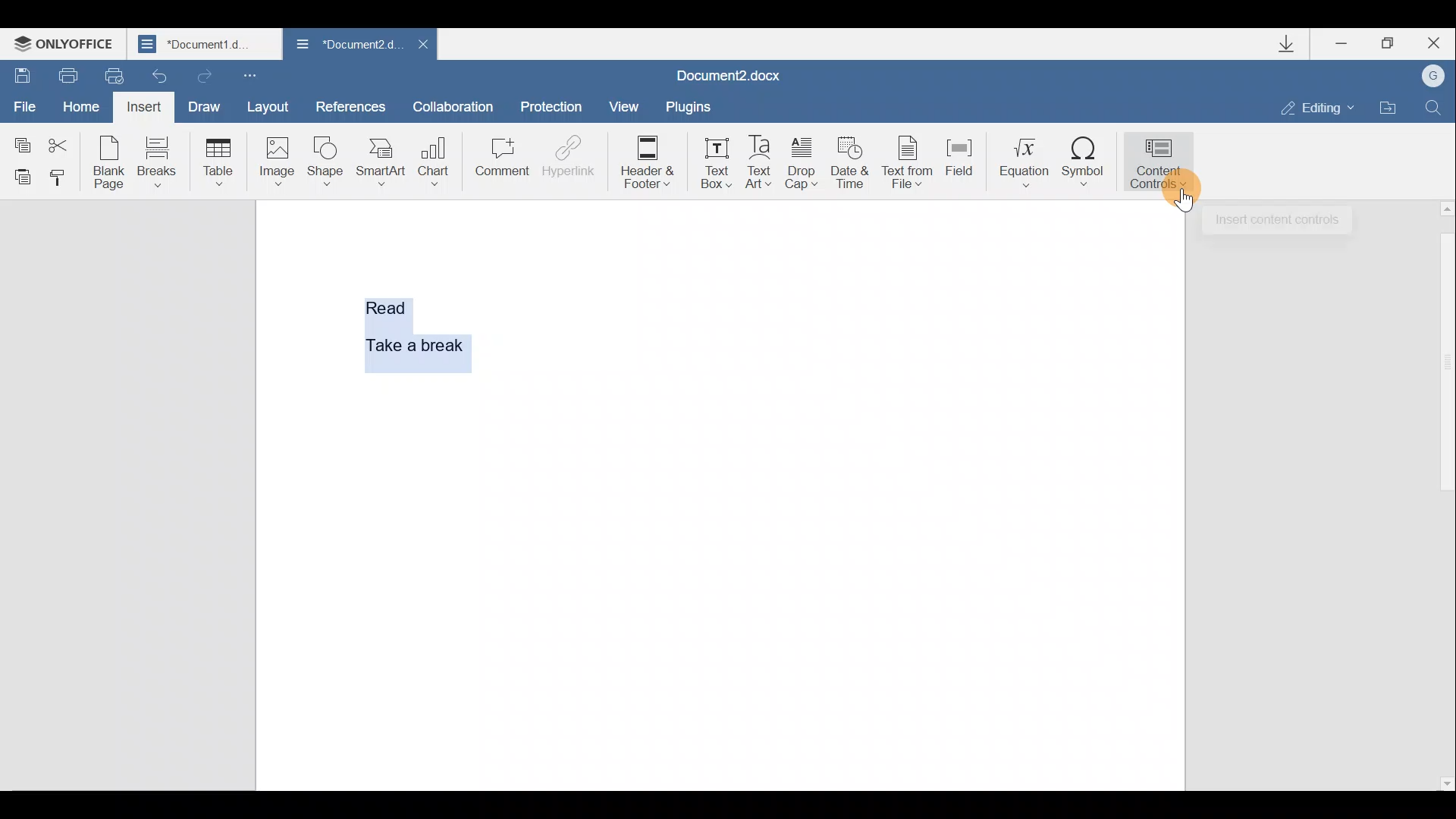  I want to click on Document2.docx, so click(729, 75).